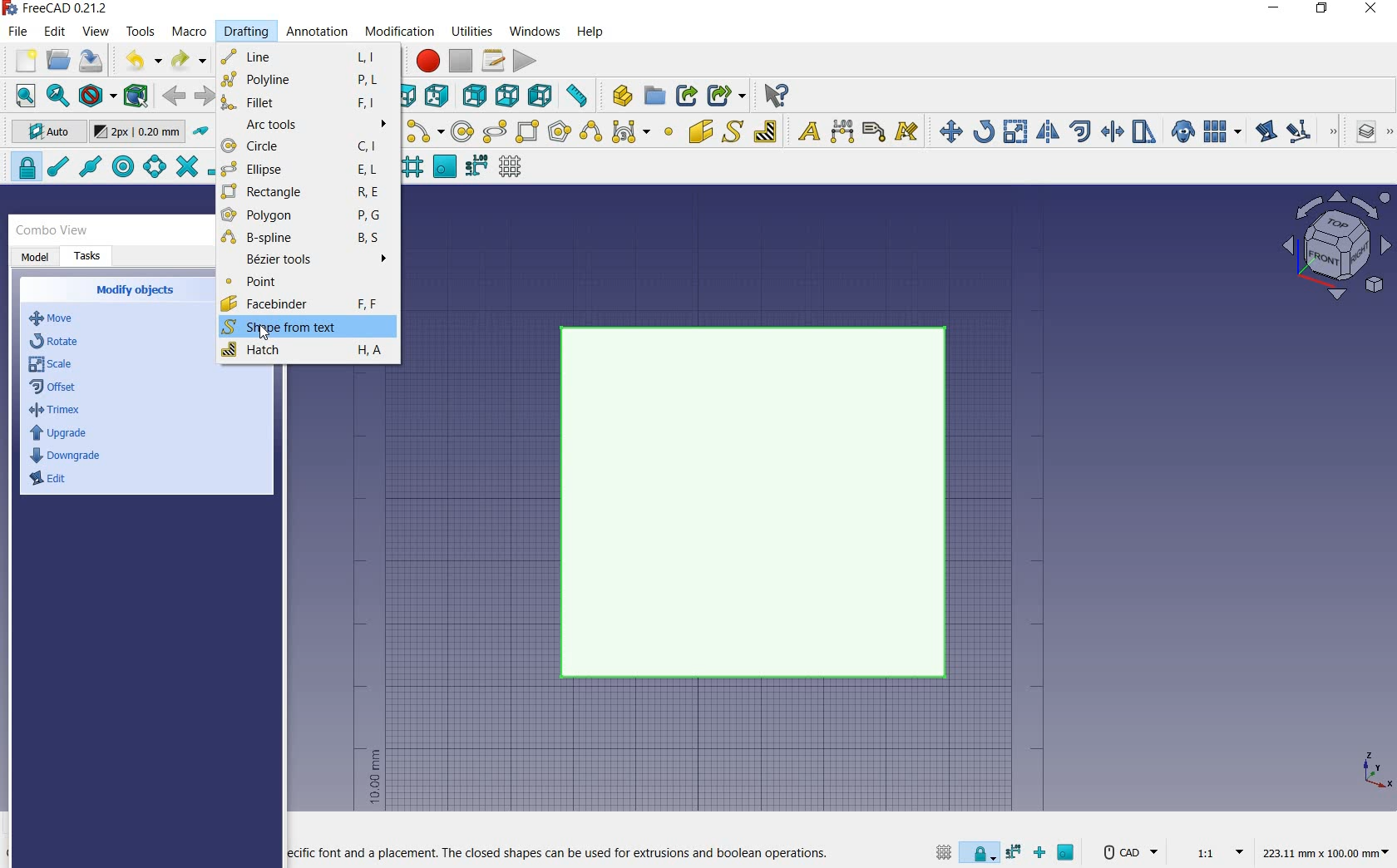 The width and height of the screenshot is (1397, 868). Describe the element at coordinates (304, 170) in the screenshot. I see `ellipse` at that location.